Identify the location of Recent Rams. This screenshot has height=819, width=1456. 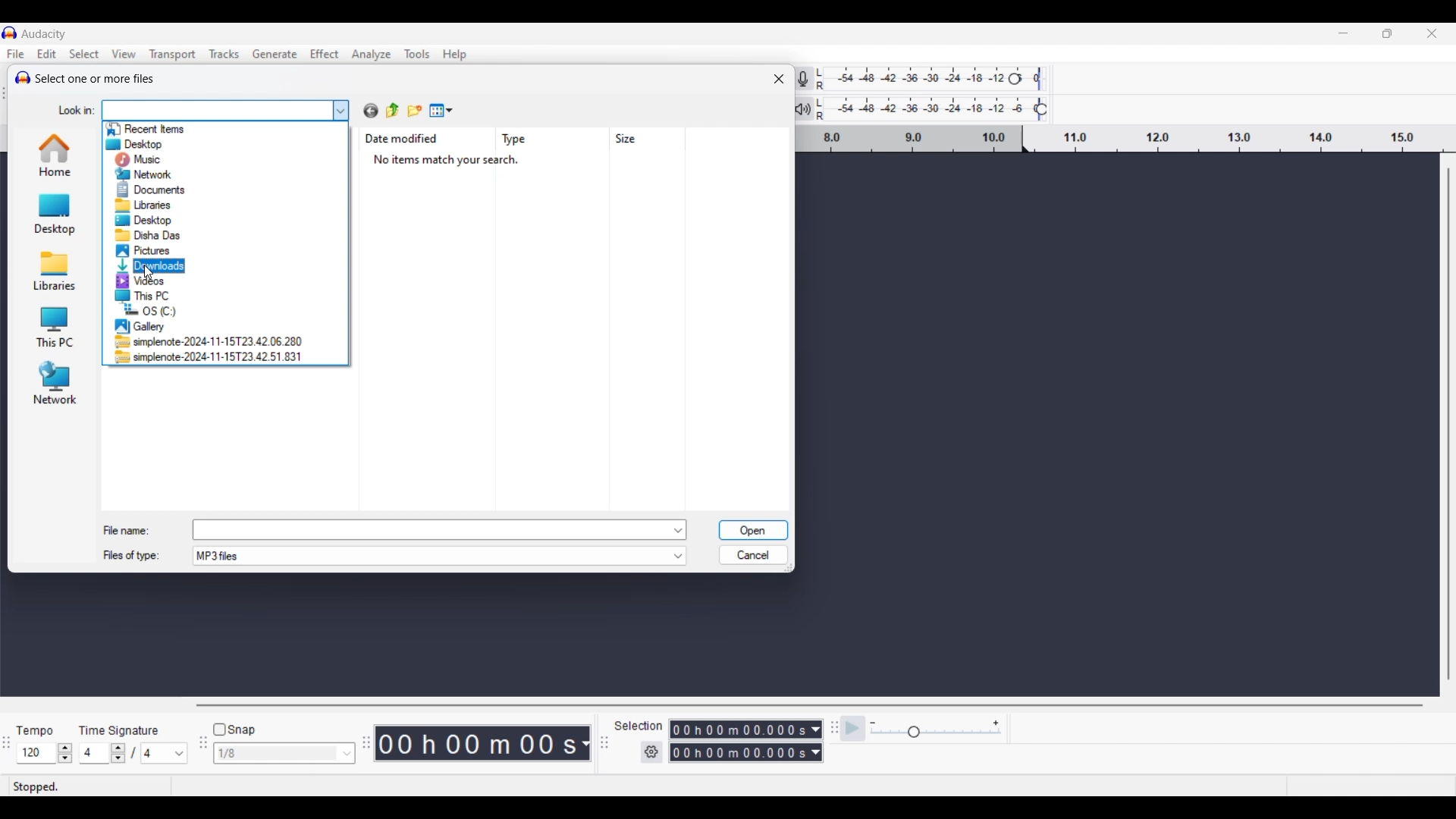
(149, 126).